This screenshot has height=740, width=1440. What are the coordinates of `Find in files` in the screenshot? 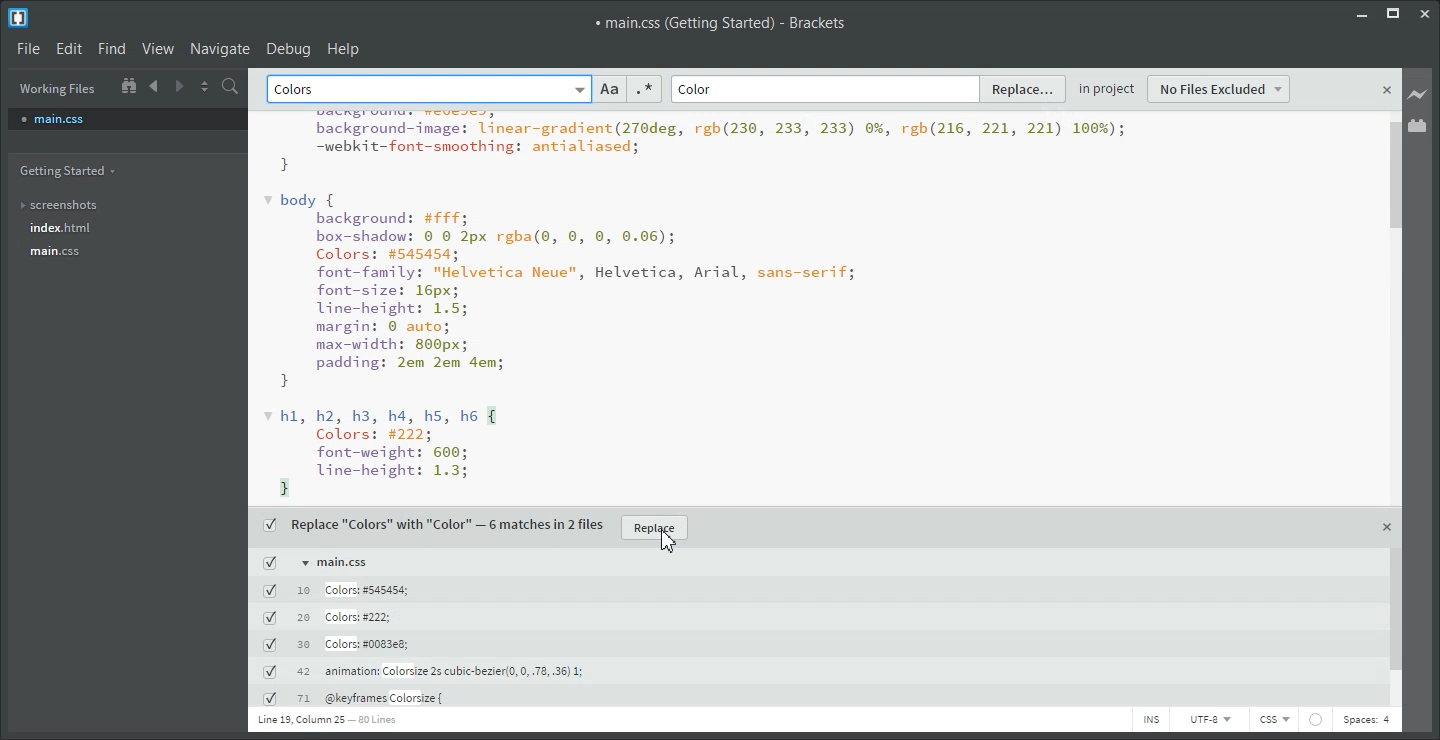 It's located at (232, 86).